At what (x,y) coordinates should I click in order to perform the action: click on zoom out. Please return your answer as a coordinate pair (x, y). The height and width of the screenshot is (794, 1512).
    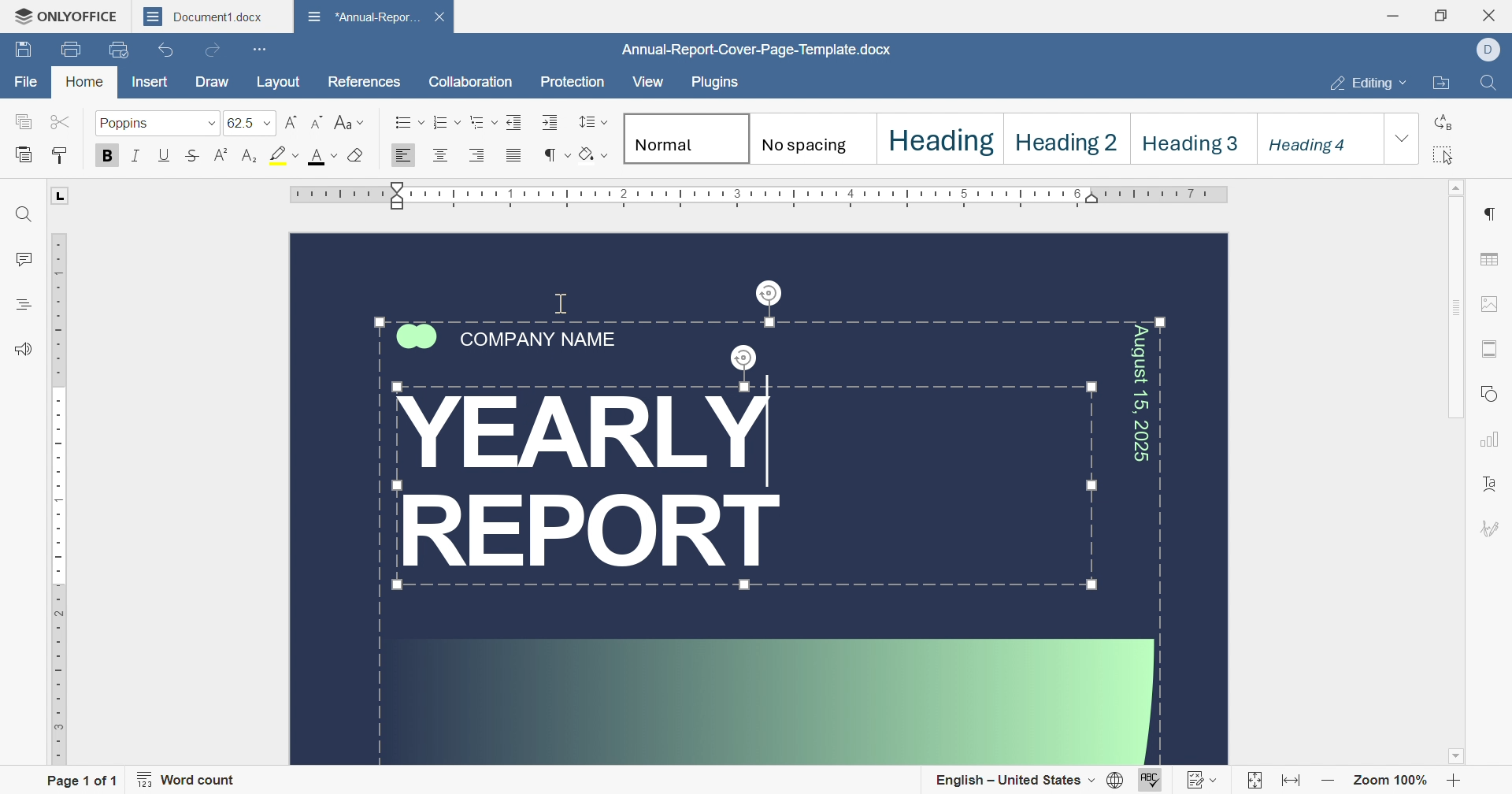
    Looking at the image, I should click on (1328, 783).